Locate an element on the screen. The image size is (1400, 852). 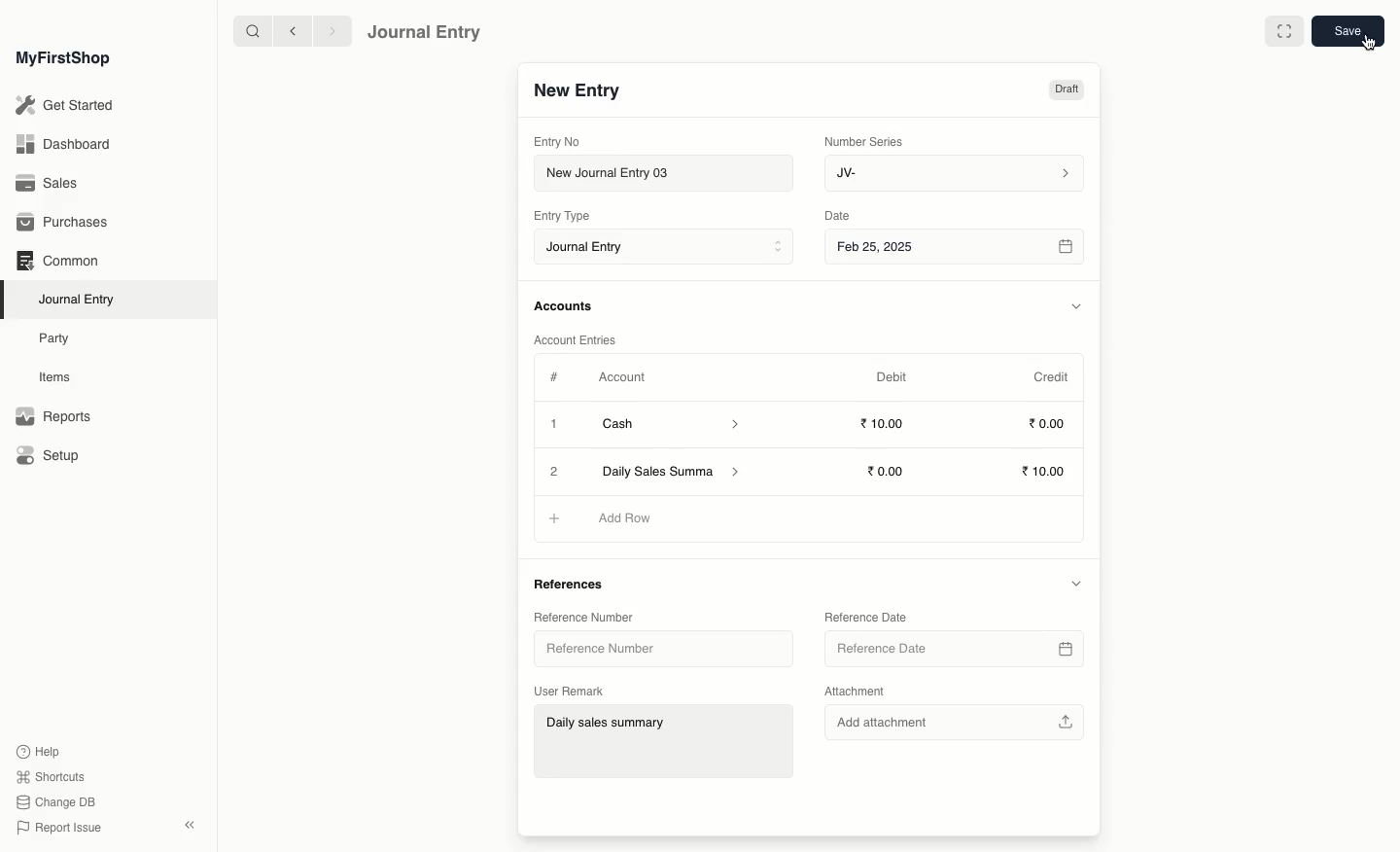
New Journal Entry 03 is located at coordinates (669, 174).